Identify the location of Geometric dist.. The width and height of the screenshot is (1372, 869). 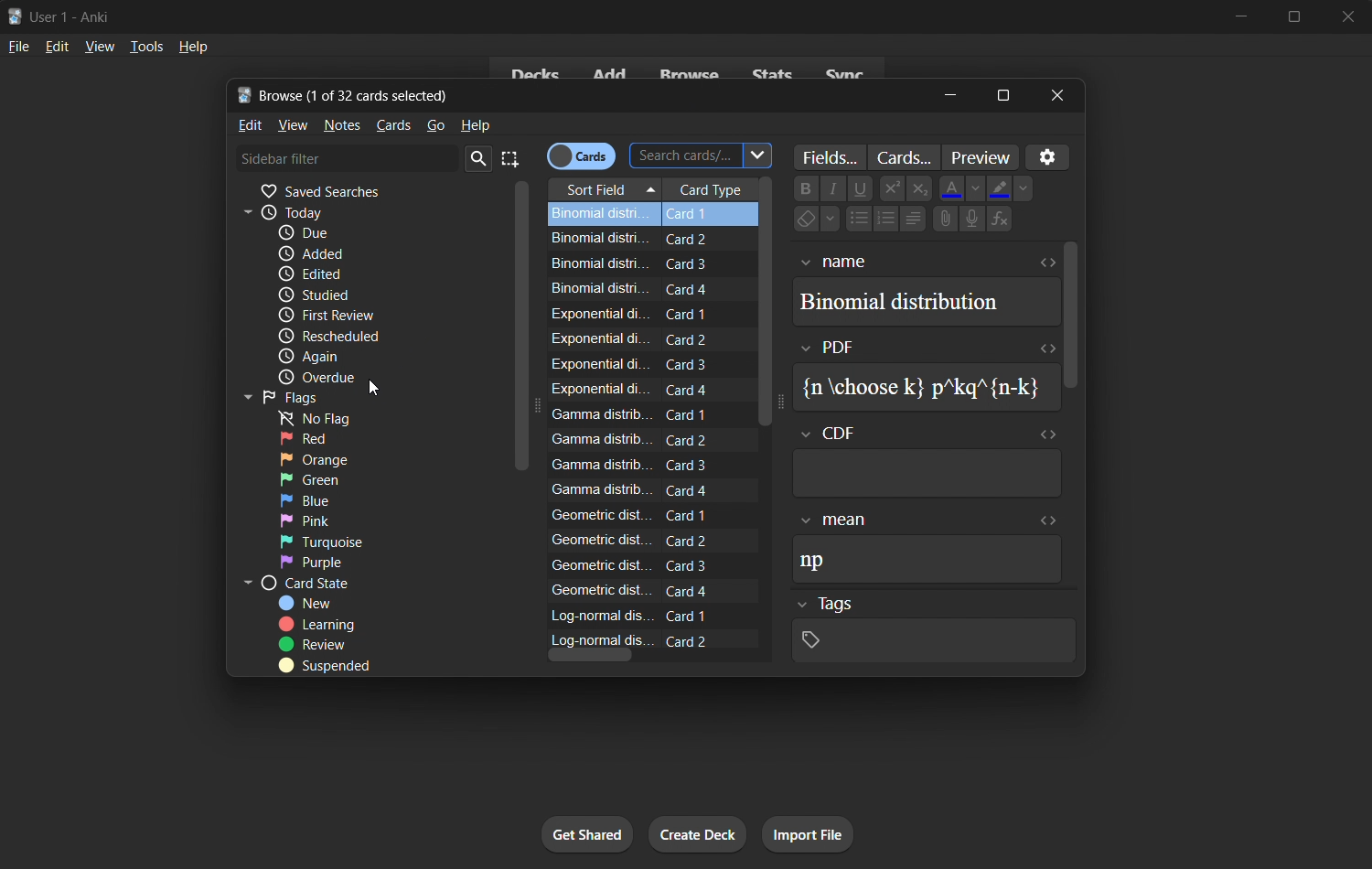
(598, 541).